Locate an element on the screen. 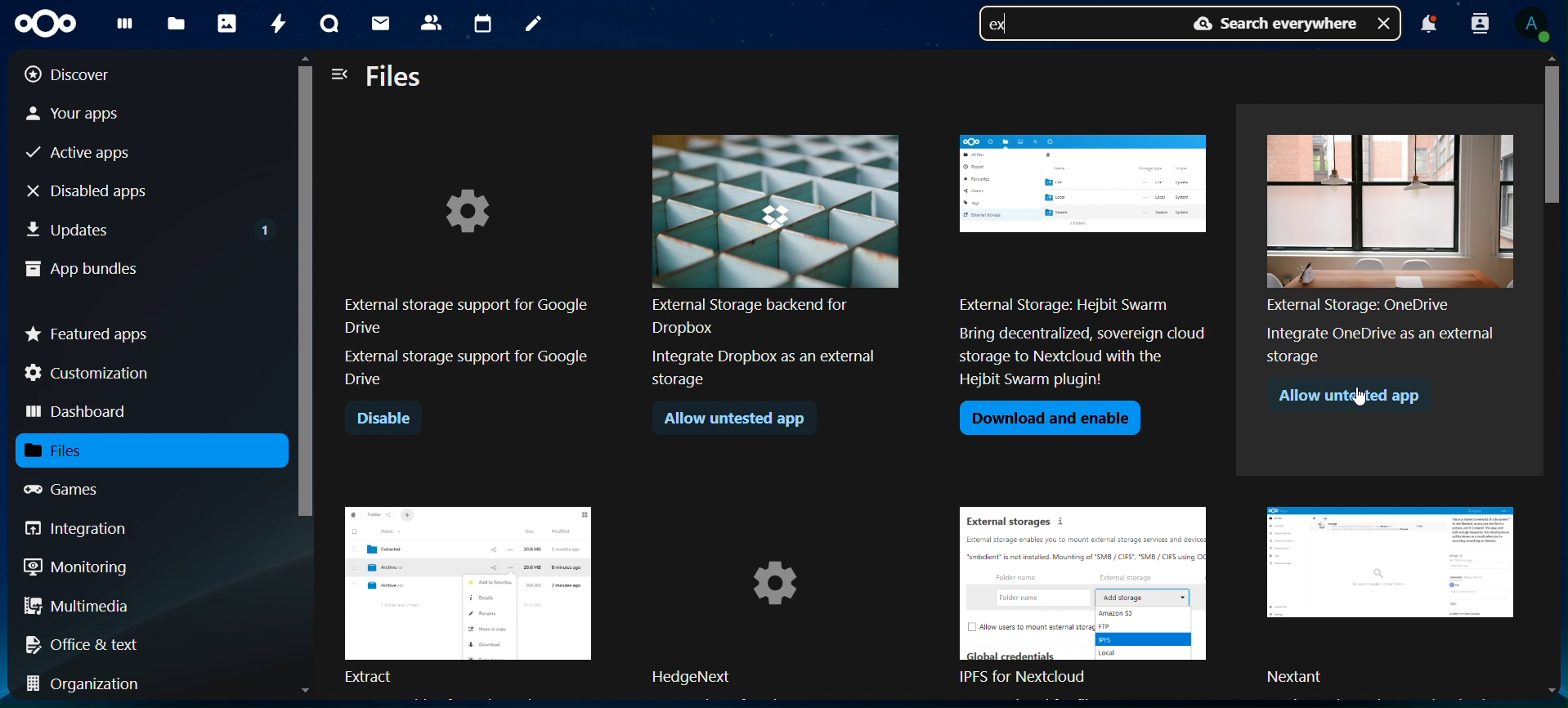 Image resolution: width=1568 pixels, height=708 pixels. allow untested app is located at coordinates (735, 417).